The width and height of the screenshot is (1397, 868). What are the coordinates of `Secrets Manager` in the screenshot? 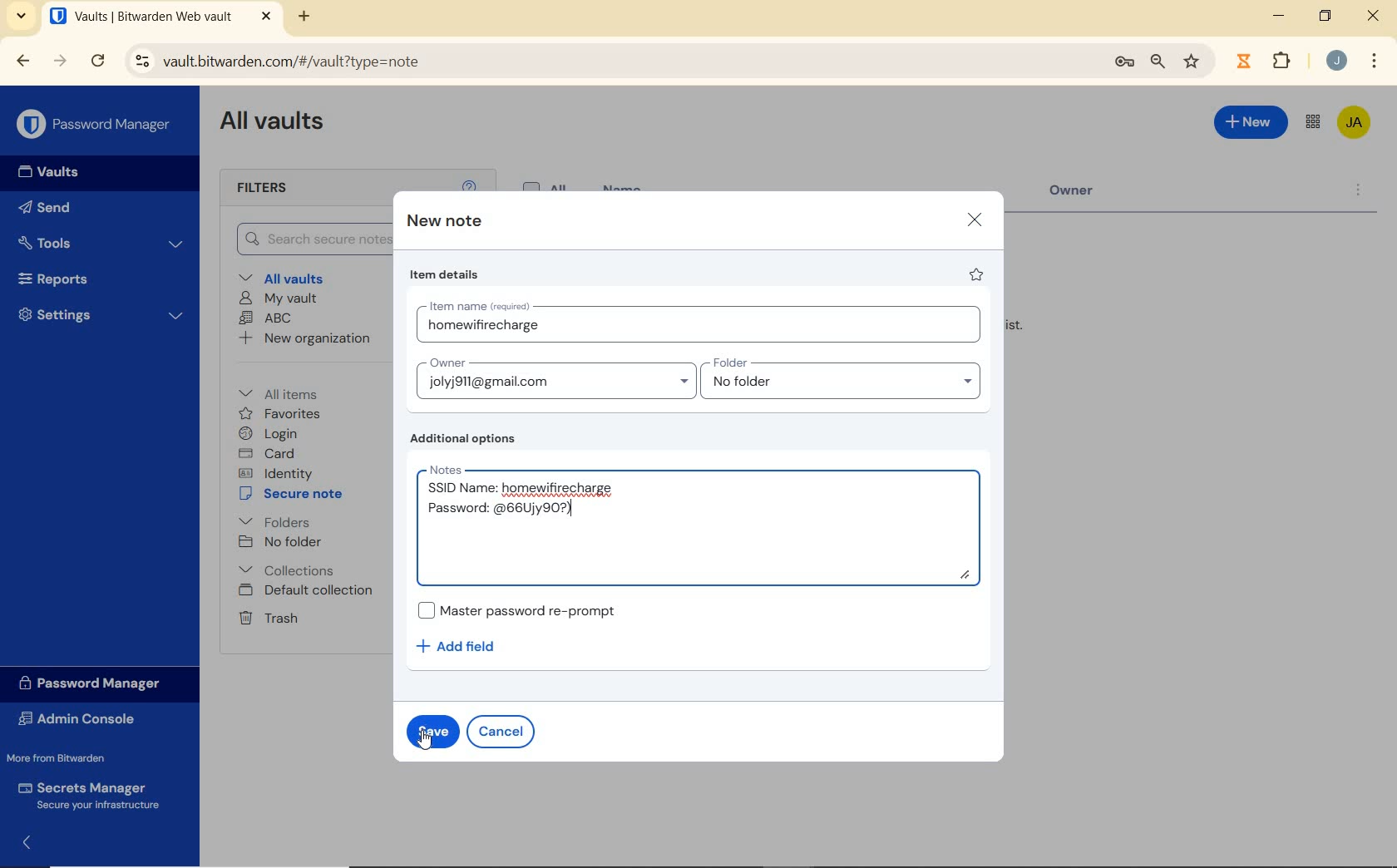 It's located at (93, 795).